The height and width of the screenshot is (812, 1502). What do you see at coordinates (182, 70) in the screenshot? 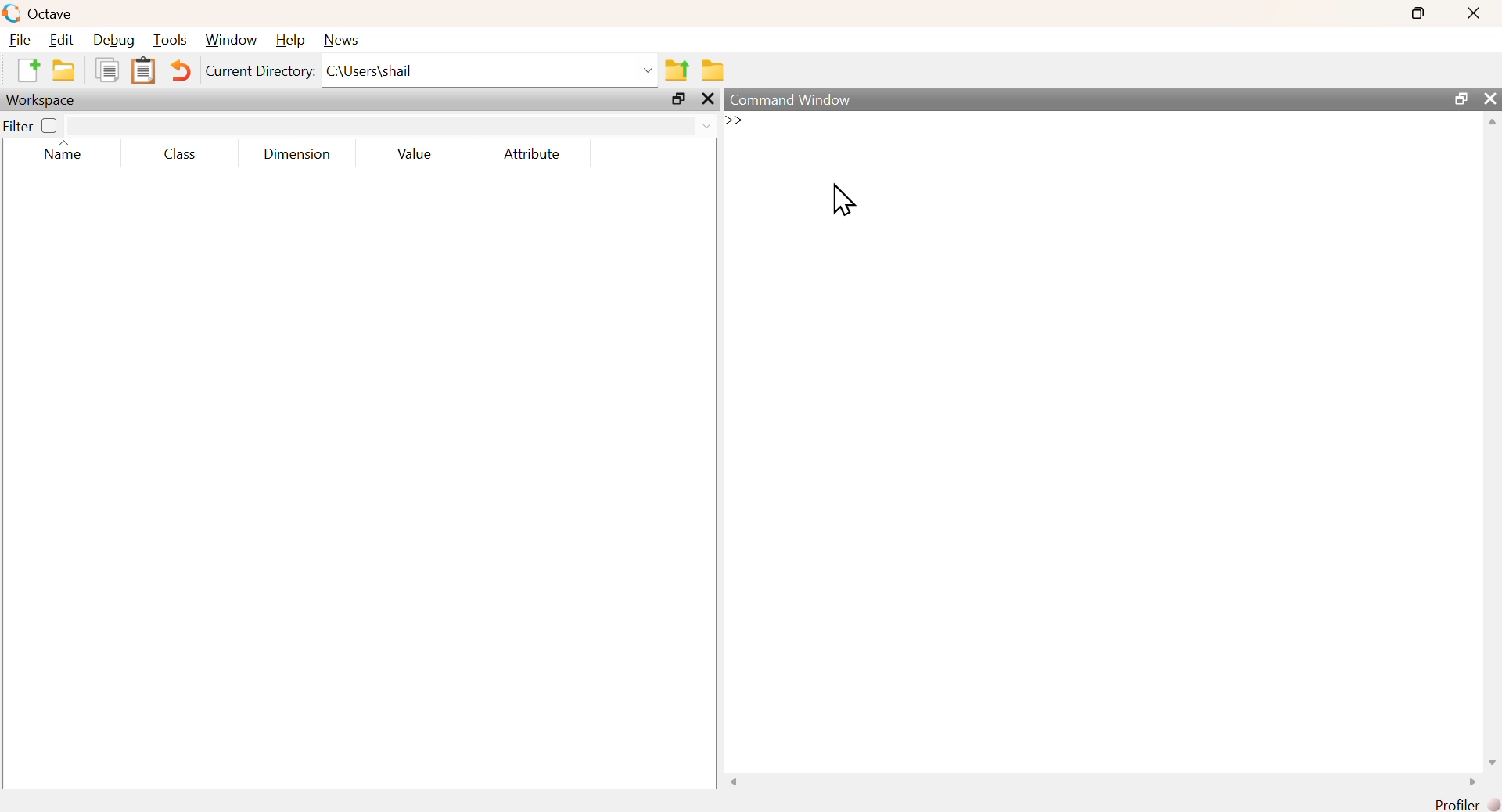
I see `undo` at bounding box center [182, 70].